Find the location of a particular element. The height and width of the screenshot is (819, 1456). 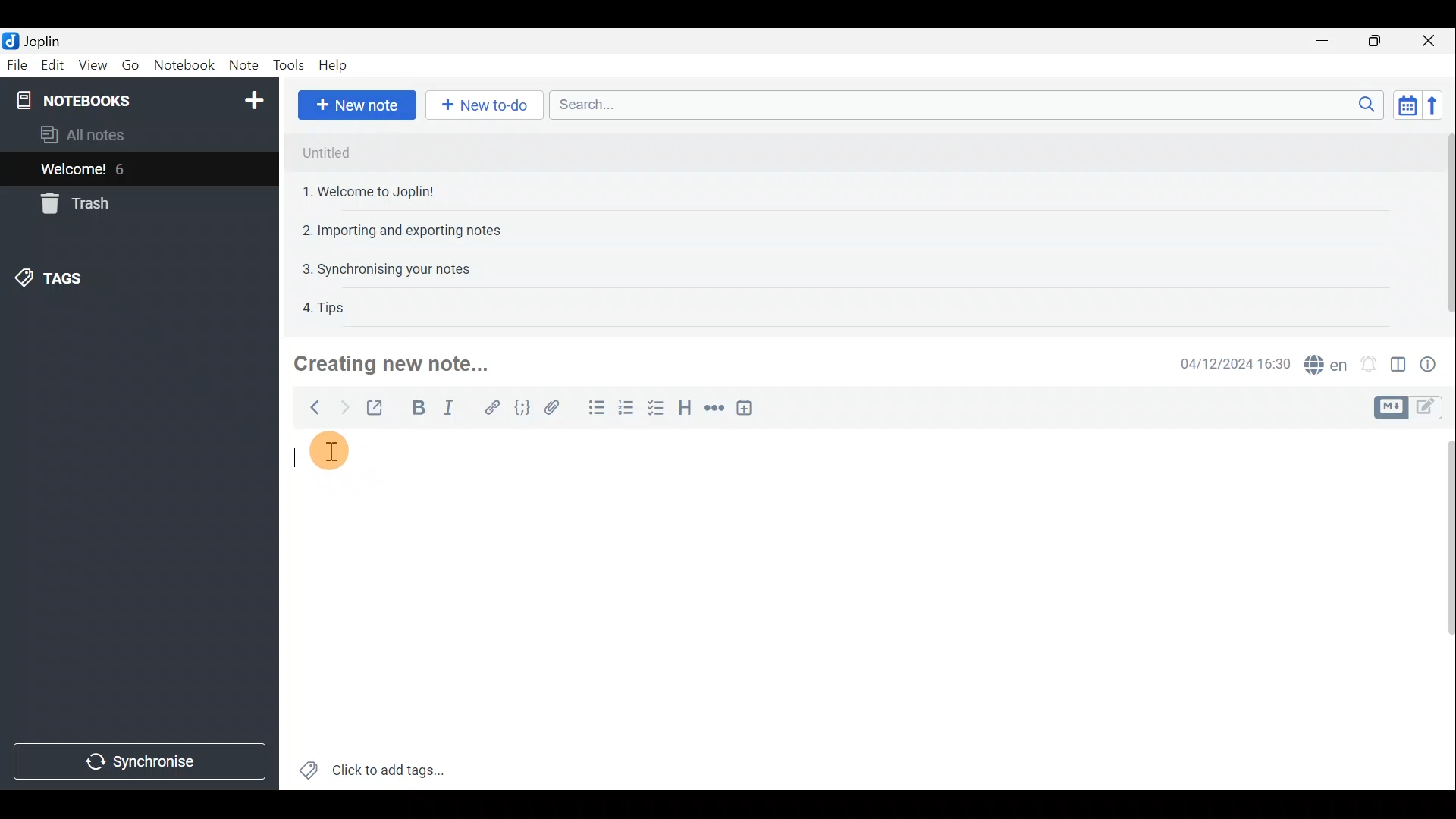

View is located at coordinates (90, 67).